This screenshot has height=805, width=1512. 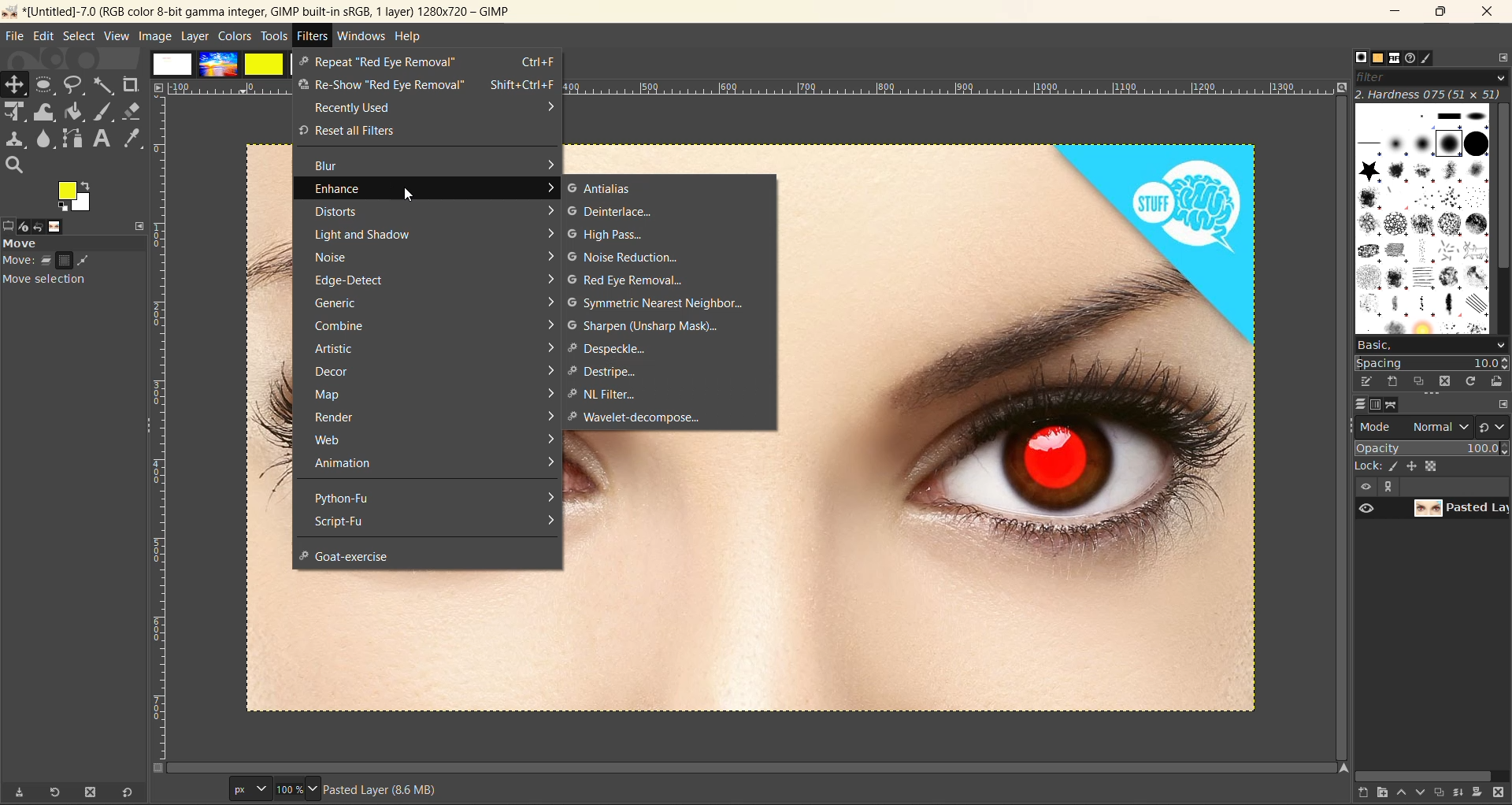 What do you see at coordinates (13, 165) in the screenshot?
I see `search` at bounding box center [13, 165].